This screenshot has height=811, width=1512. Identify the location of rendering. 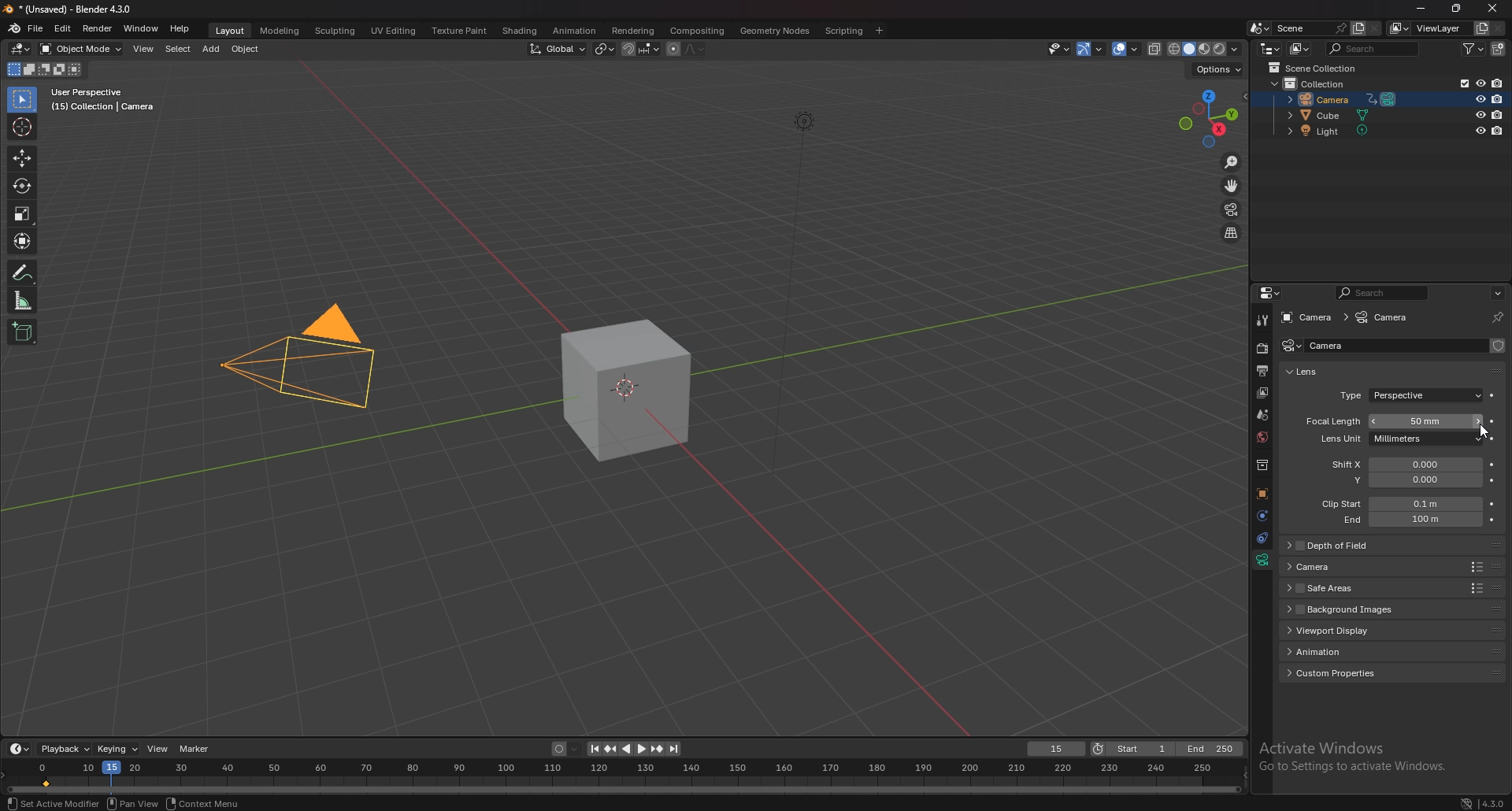
(633, 31).